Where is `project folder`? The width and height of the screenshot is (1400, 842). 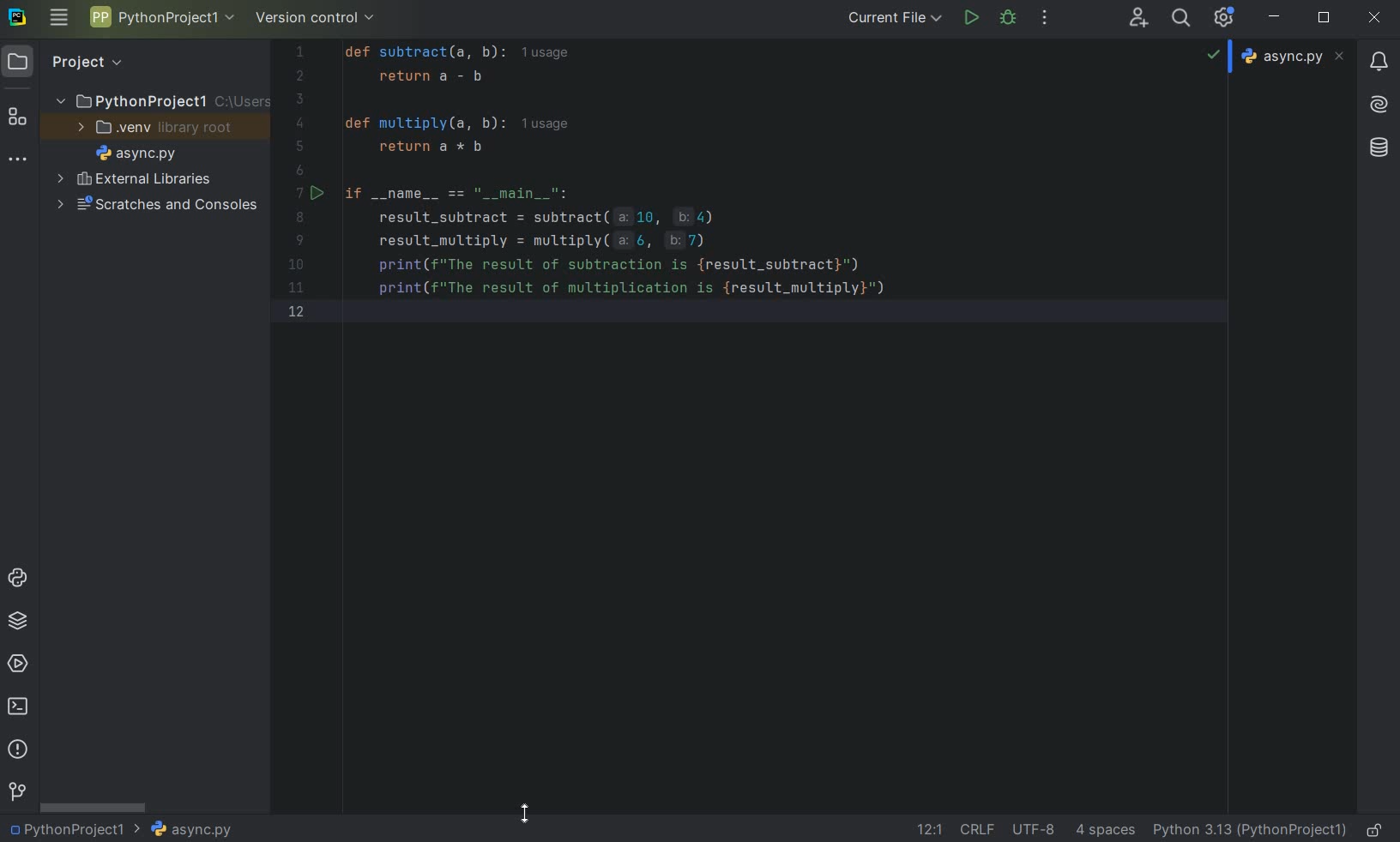
project folder is located at coordinates (155, 100).